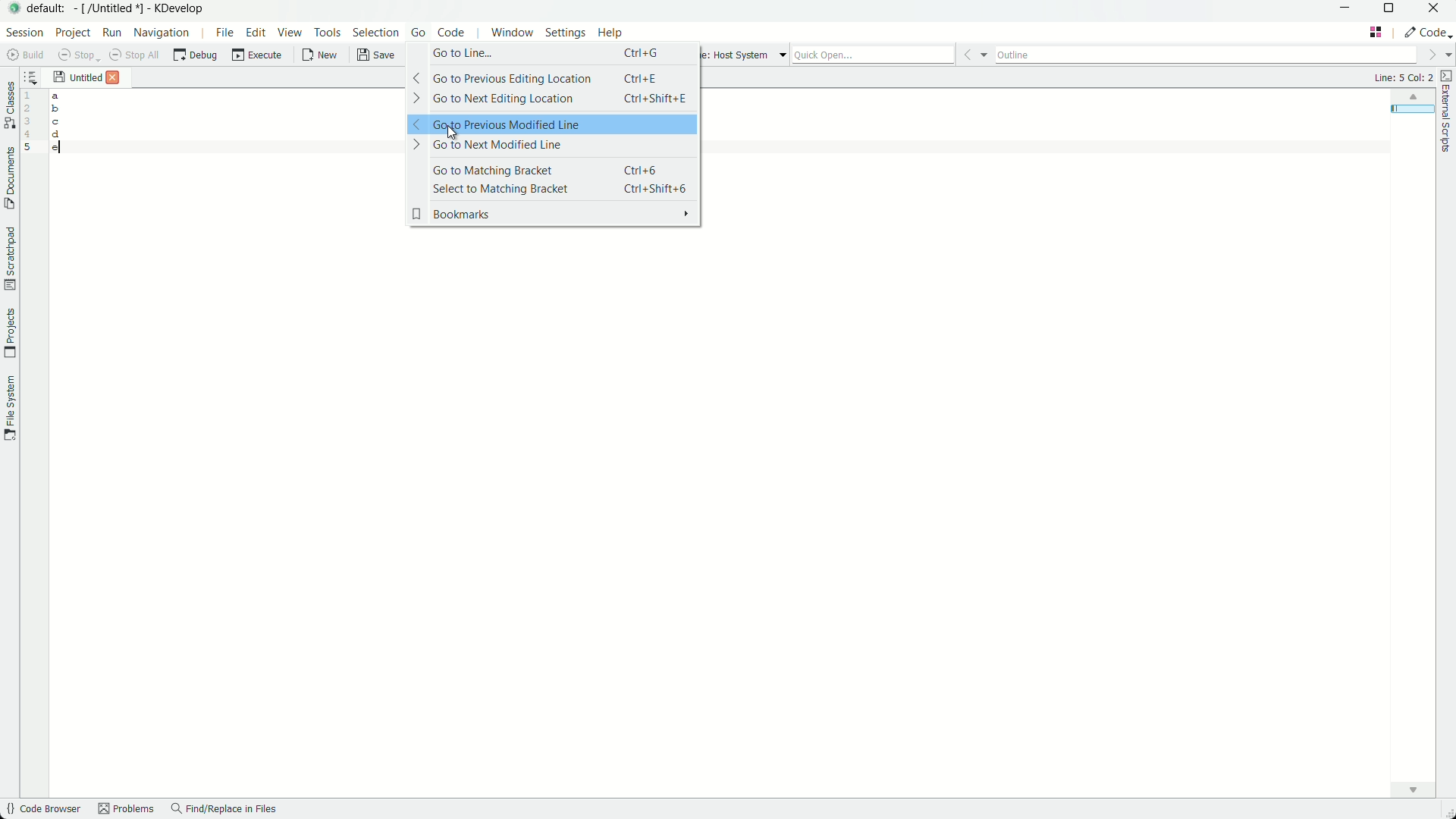 The height and width of the screenshot is (819, 1456). What do you see at coordinates (375, 58) in the screenshot?
I see `save` at bounding box center [375, 58].